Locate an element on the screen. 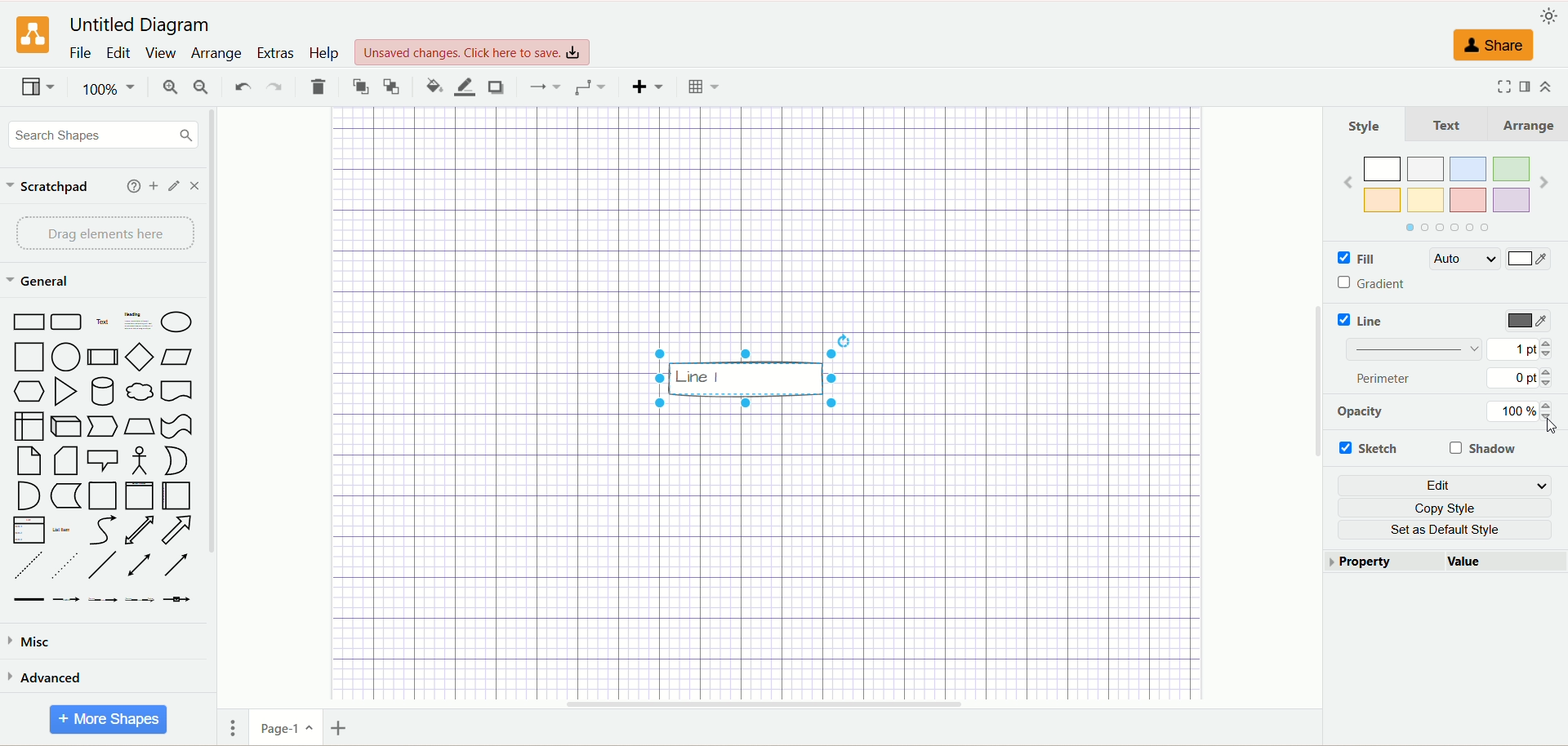  page-1 is located at coordinates (282, 728).